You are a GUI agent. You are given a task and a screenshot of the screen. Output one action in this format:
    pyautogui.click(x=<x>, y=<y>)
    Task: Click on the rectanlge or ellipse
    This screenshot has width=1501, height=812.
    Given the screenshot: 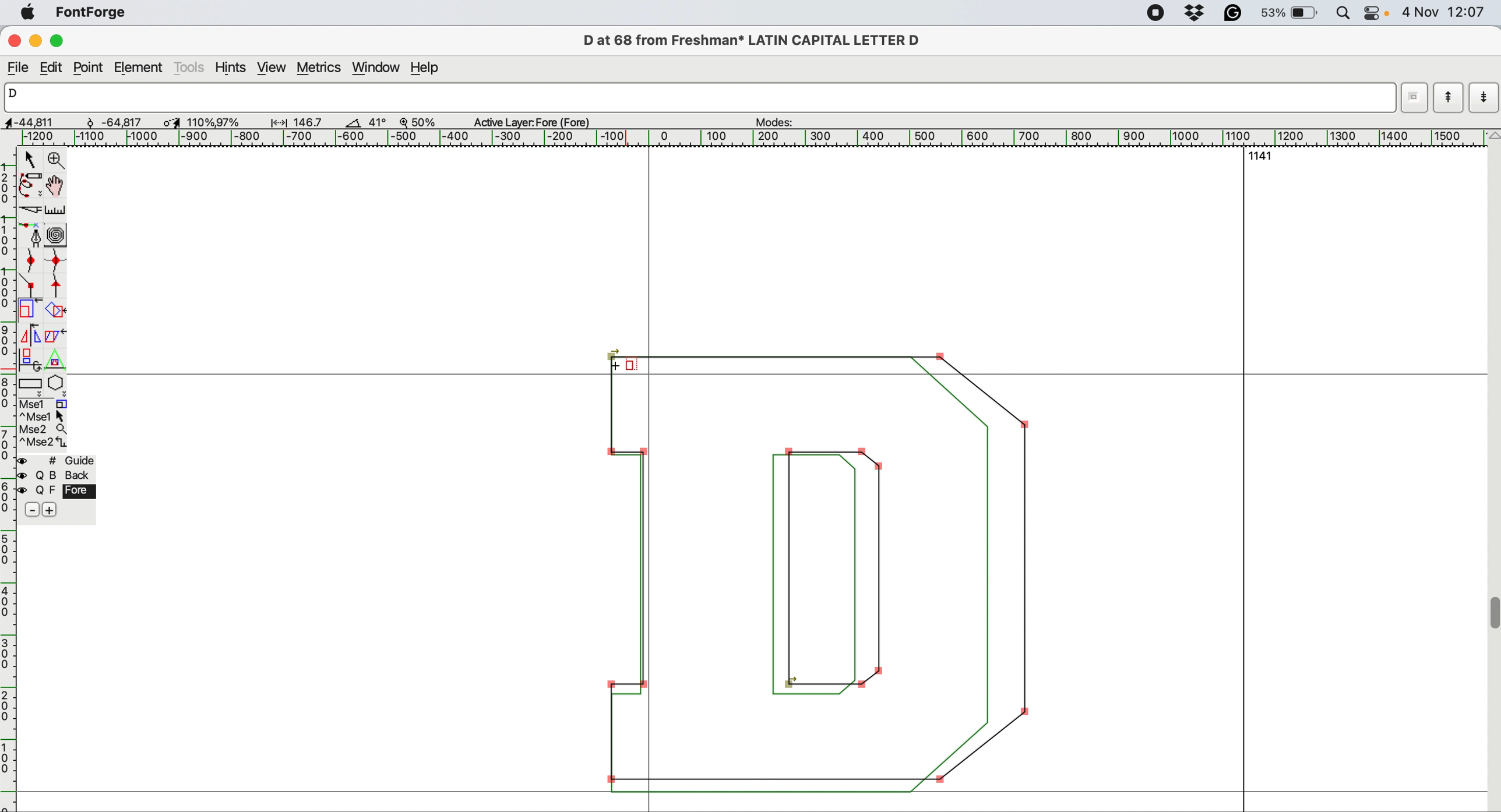 What is the action you would take?
    pyautogui.click(x=31, y=385)
    